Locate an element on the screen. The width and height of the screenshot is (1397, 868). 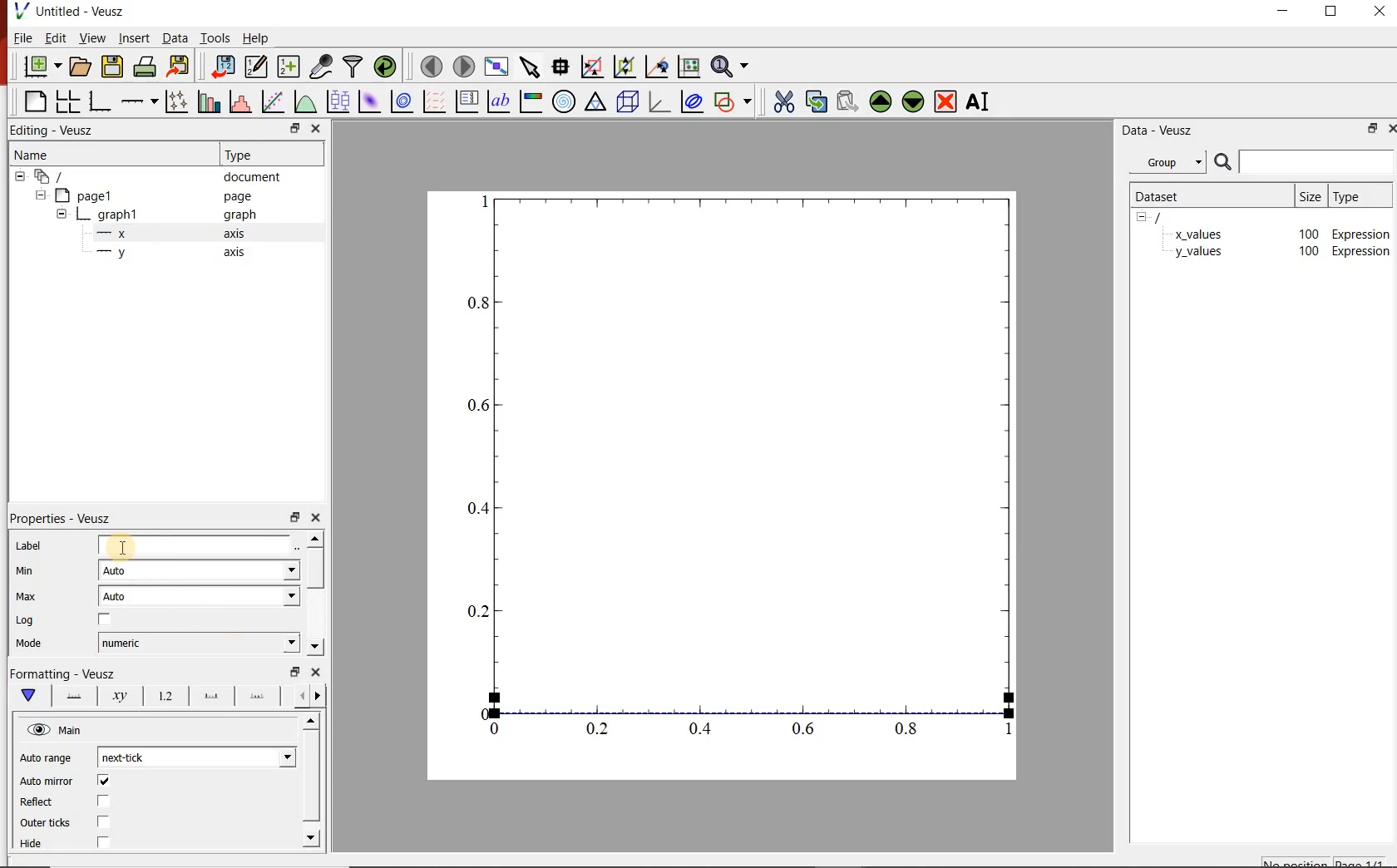
click to reset graph axes is located at coordinates (688, 67).